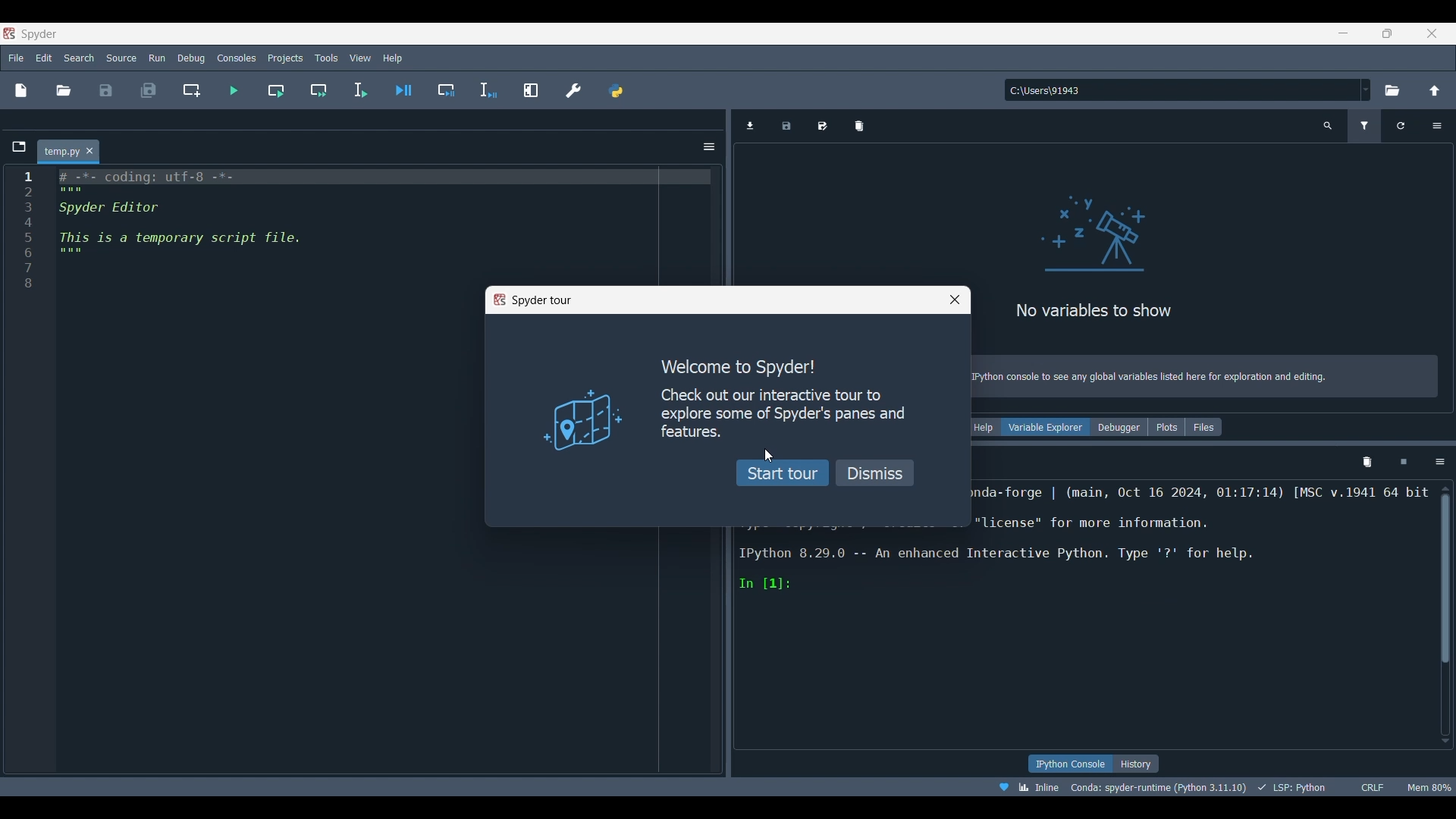 The width and height of the screenshot is (1456, 819). What do you see at coordinates (1163, 428) in the screenshot?
I see `plots` at bounding box center [1163, 428].